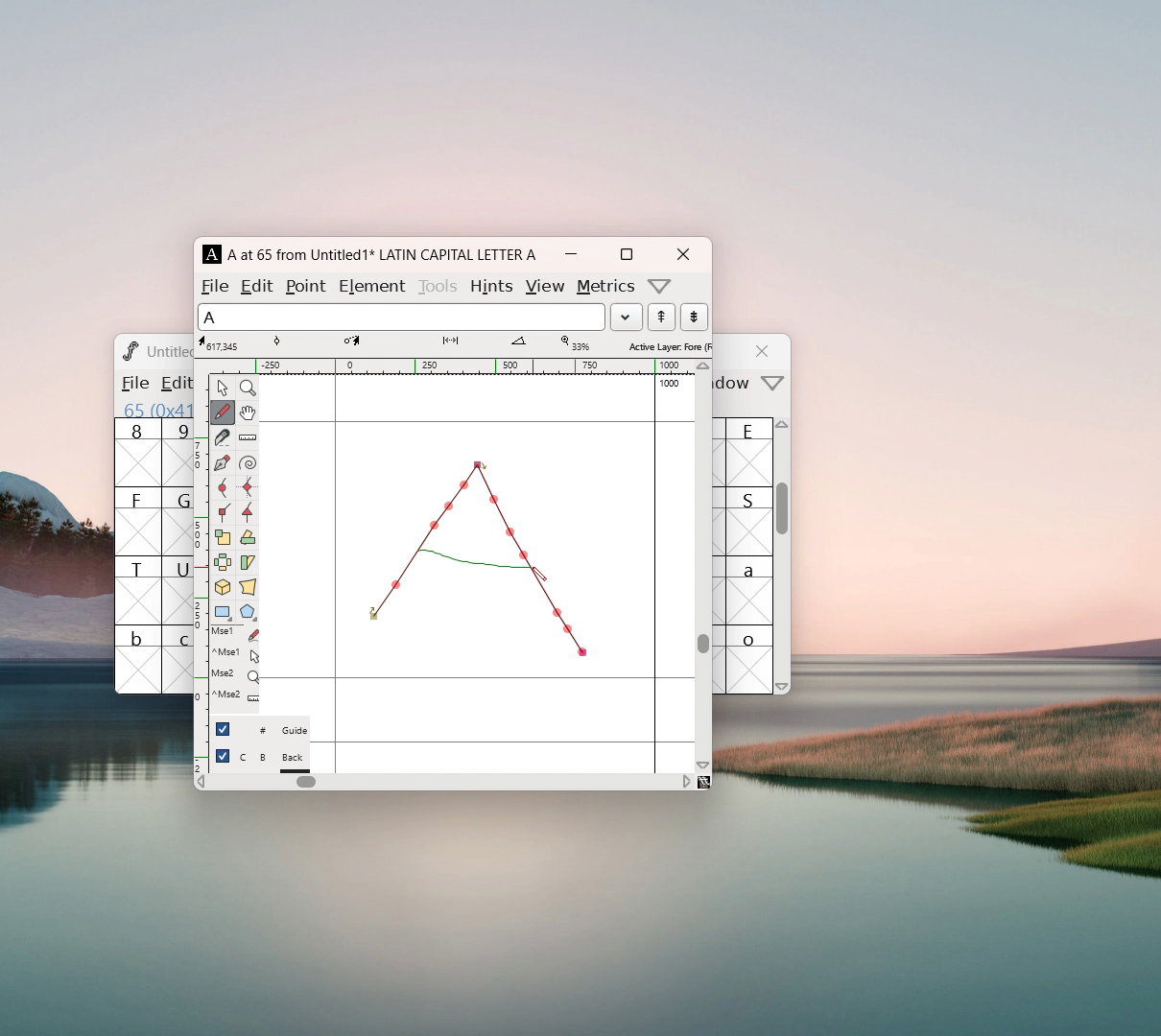  I want to click on selected letter, so click(401, 316).